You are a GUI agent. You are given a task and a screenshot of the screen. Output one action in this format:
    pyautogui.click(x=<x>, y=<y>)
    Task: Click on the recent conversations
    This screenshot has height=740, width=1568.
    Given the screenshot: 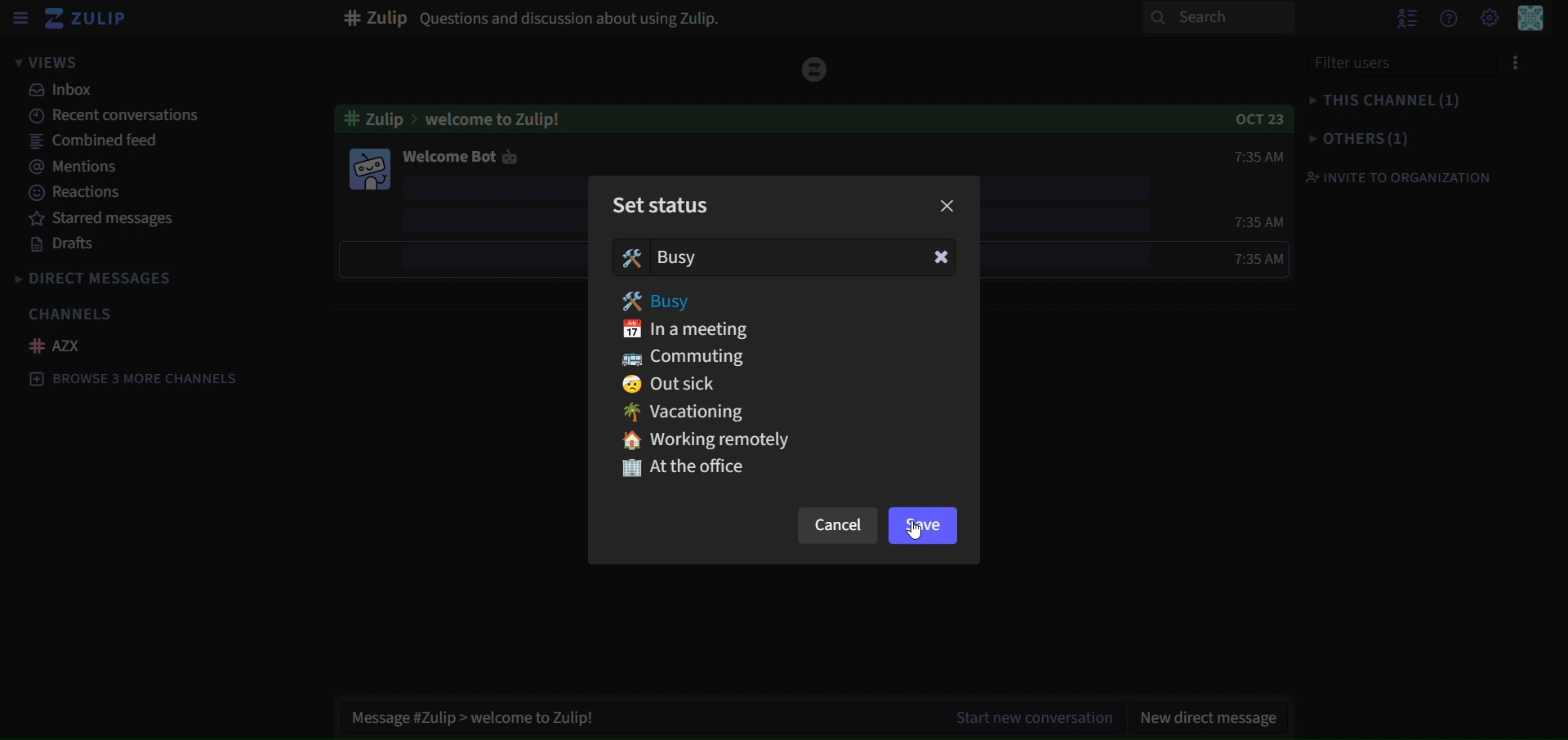 What is the action you would take?
    pyautogui.click(x=117, y=118)
    